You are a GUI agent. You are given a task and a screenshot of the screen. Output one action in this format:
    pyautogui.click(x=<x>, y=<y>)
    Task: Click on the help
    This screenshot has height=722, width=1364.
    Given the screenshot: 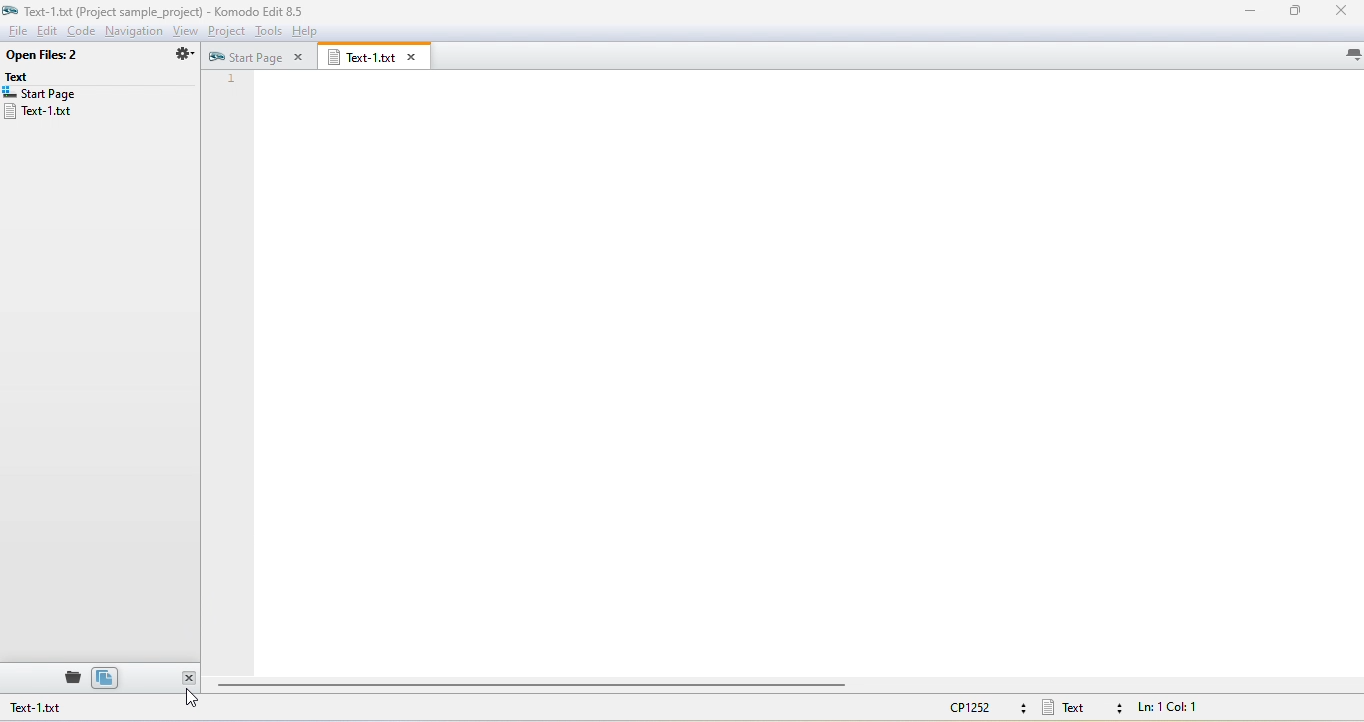 What is the action you would take?
    pyautogui.click(x=303, y=31)
    